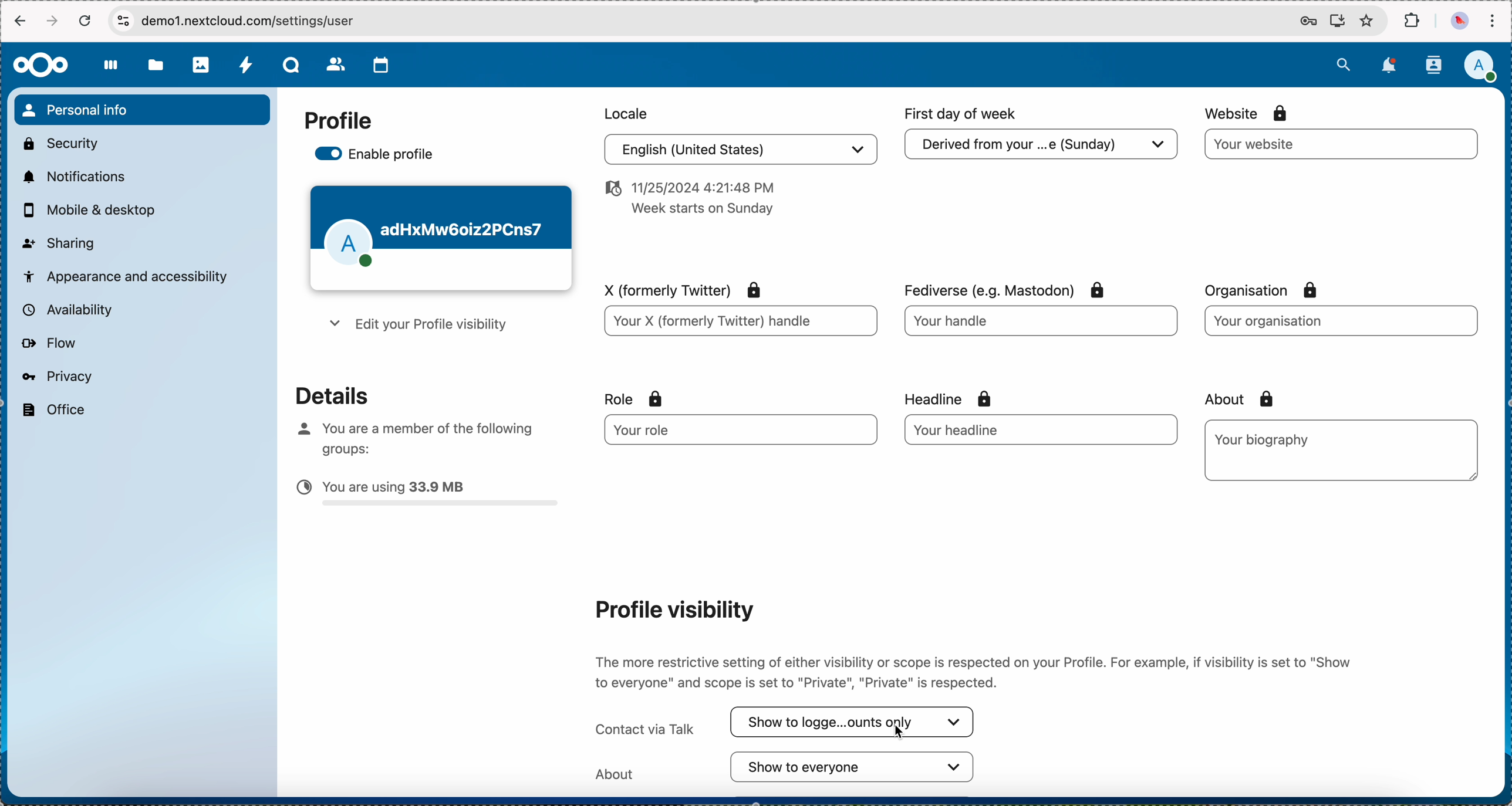 Image resolution: width=1512 pixels, height=806 pixels. I want to click on mobile and desktop, so click(95, 211).